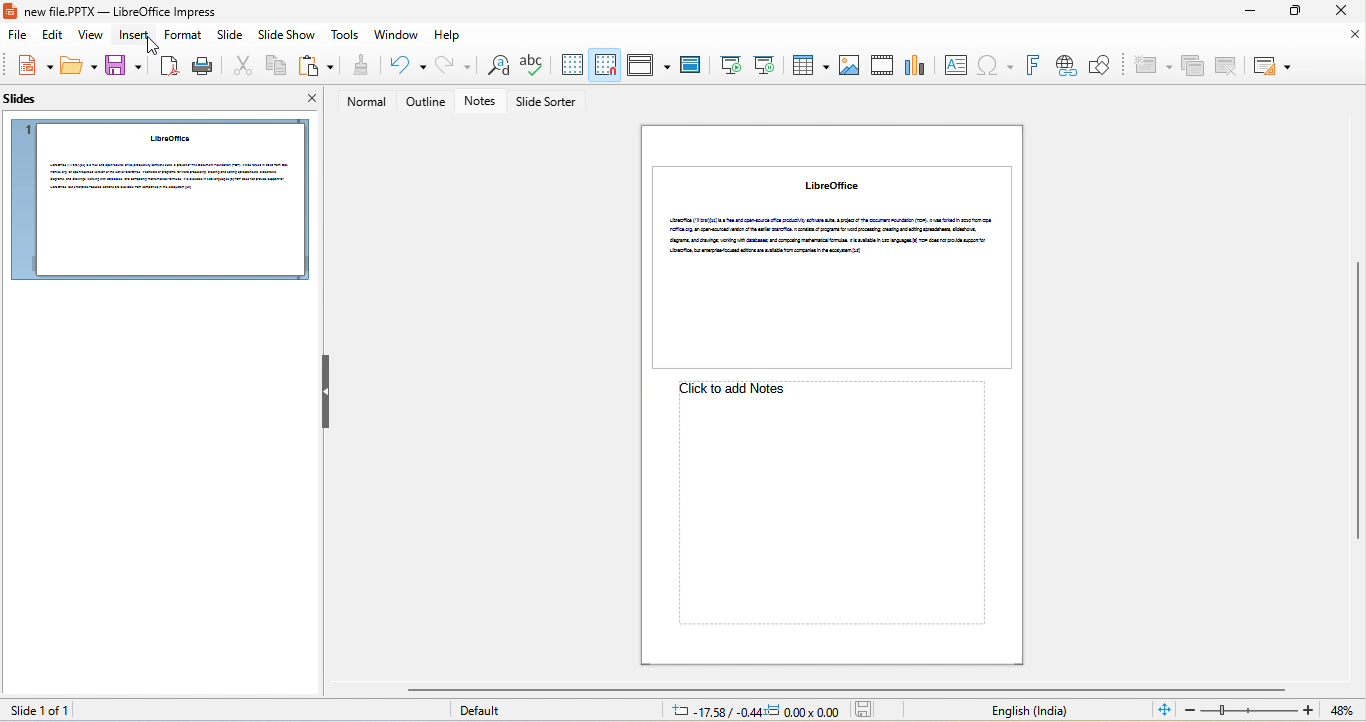  What do you see at coordinates (869, 710) in the screenshot?
I see `the document has not been modified since the last save` at bounding box center [869, 710].